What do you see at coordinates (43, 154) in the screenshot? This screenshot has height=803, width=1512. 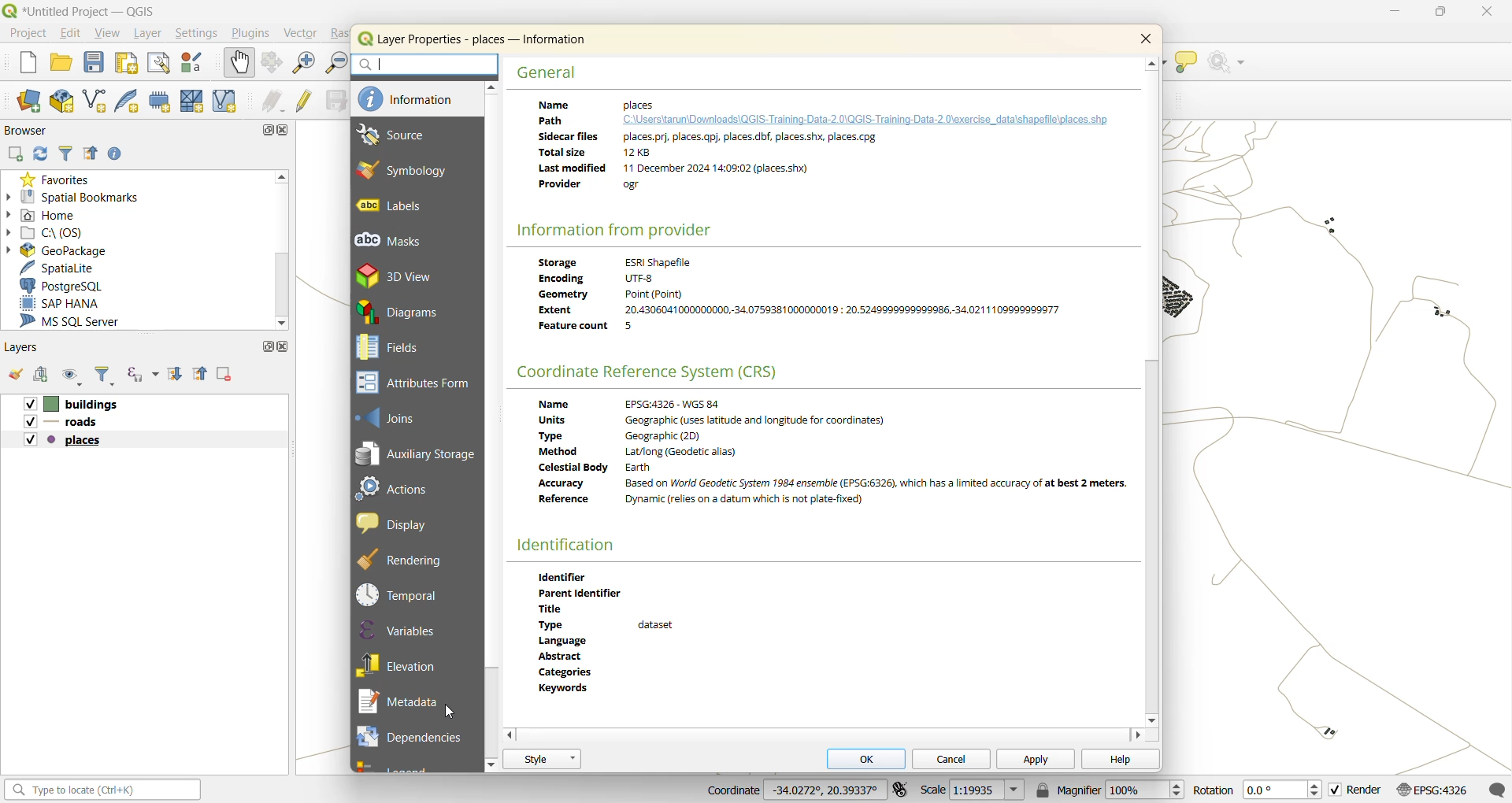 I see `refresh` at bounding box center [43, 154].